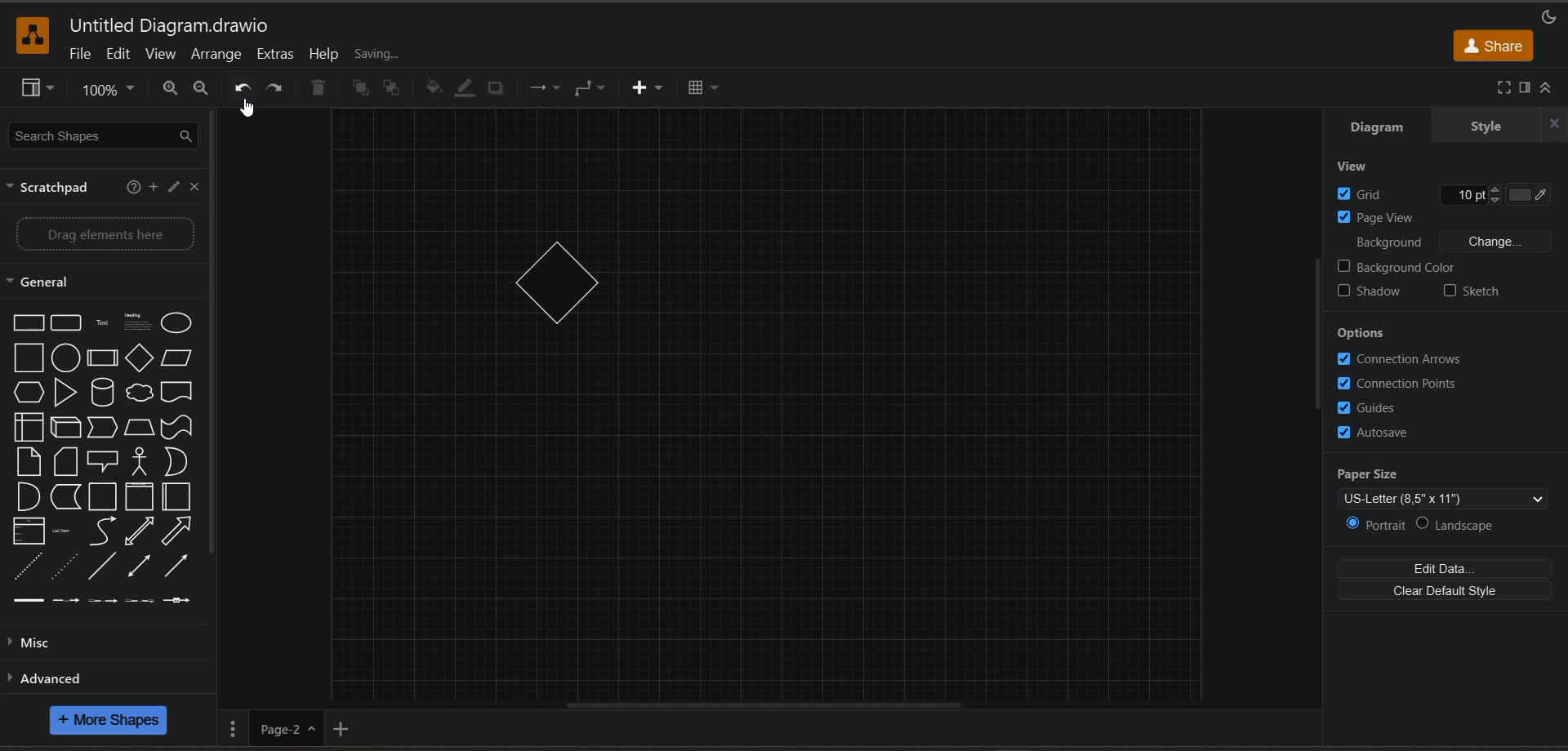 The height and width of the screenshot is (751, 1568). I want to click on Rectangle, so click(29, 323).